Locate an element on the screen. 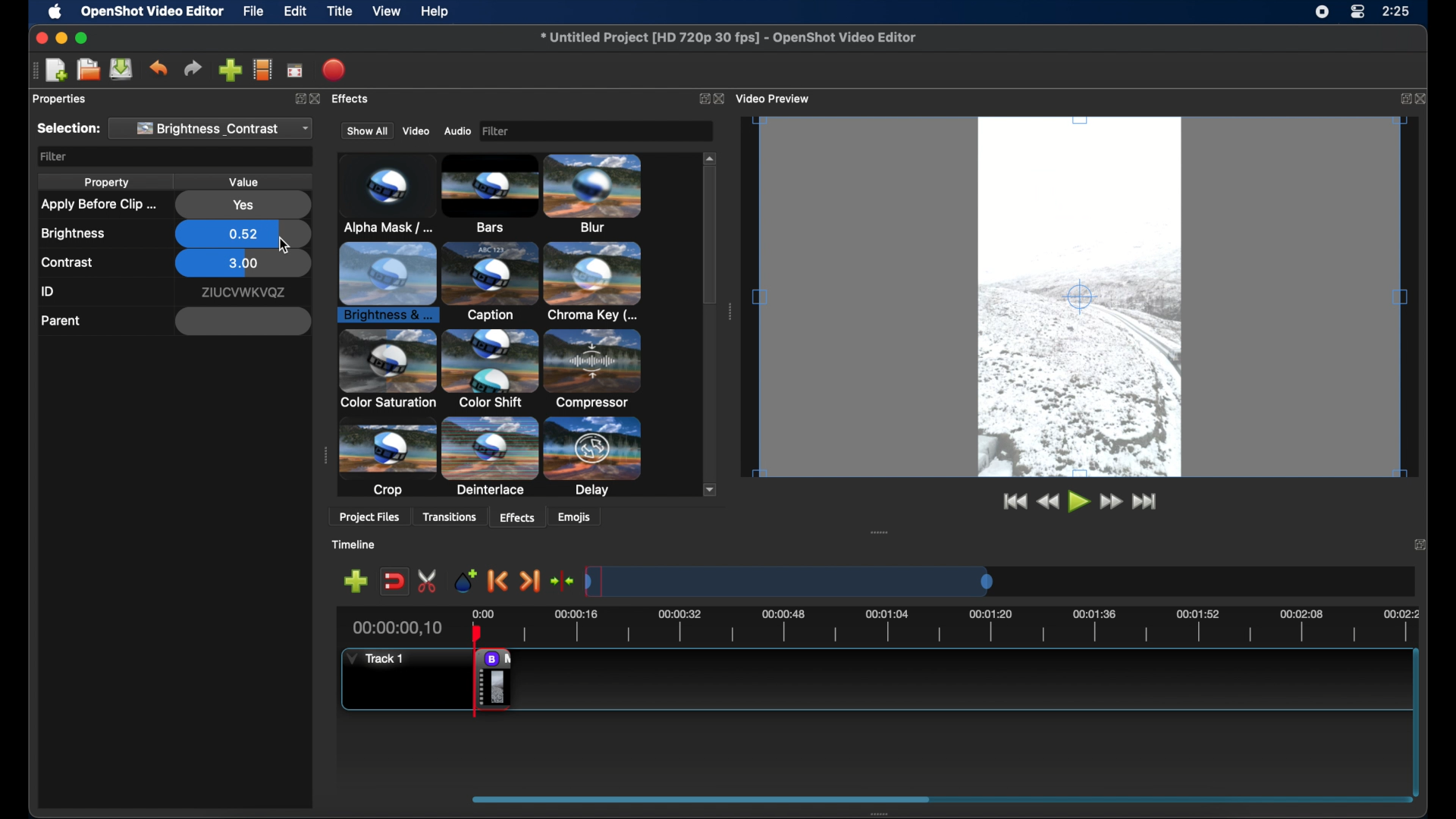 This screenshot has height=819, width=1456. rewind is located at coordinates (1047, 503).